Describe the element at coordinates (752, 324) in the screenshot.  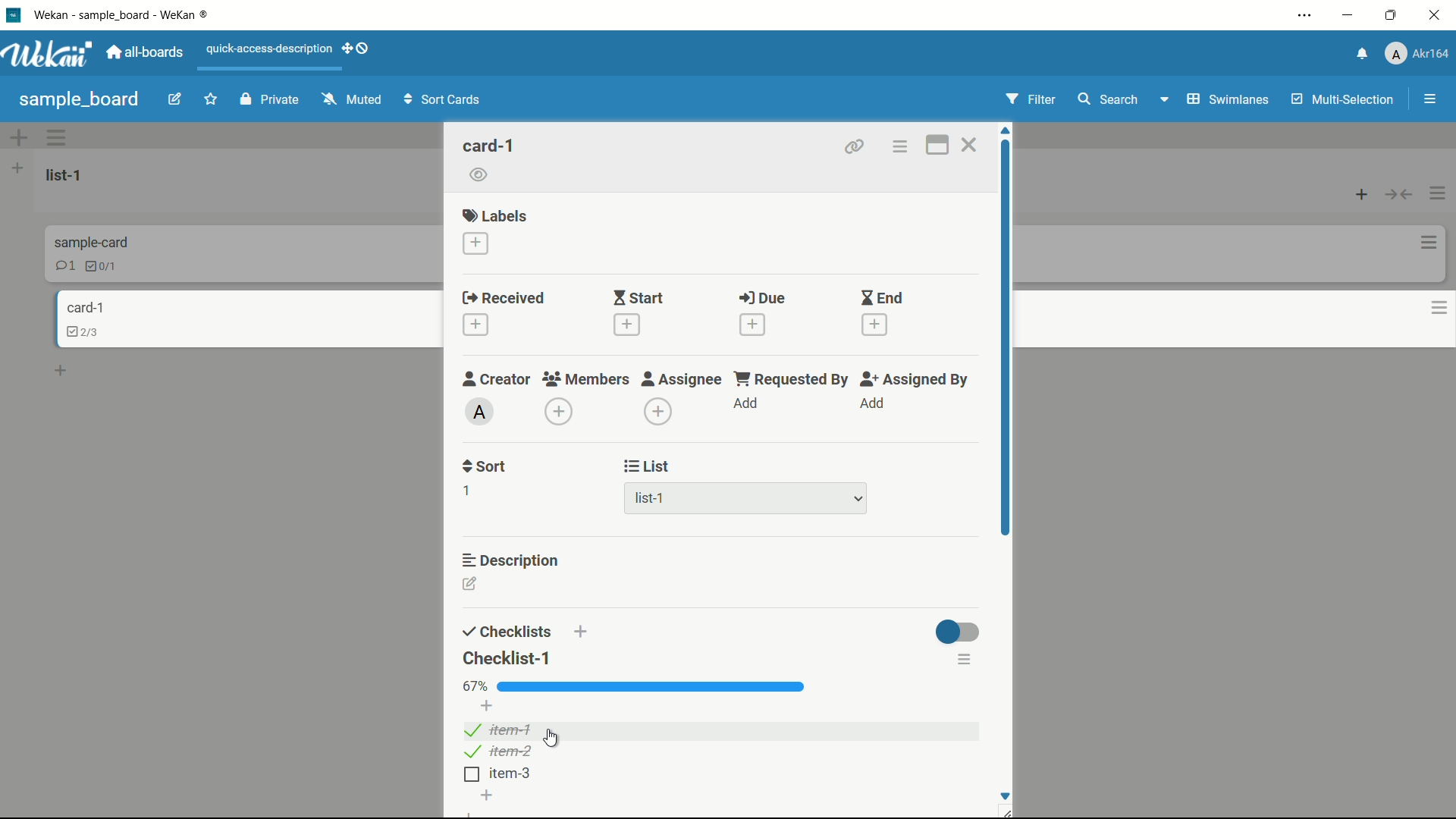
I see `add date` at that location.